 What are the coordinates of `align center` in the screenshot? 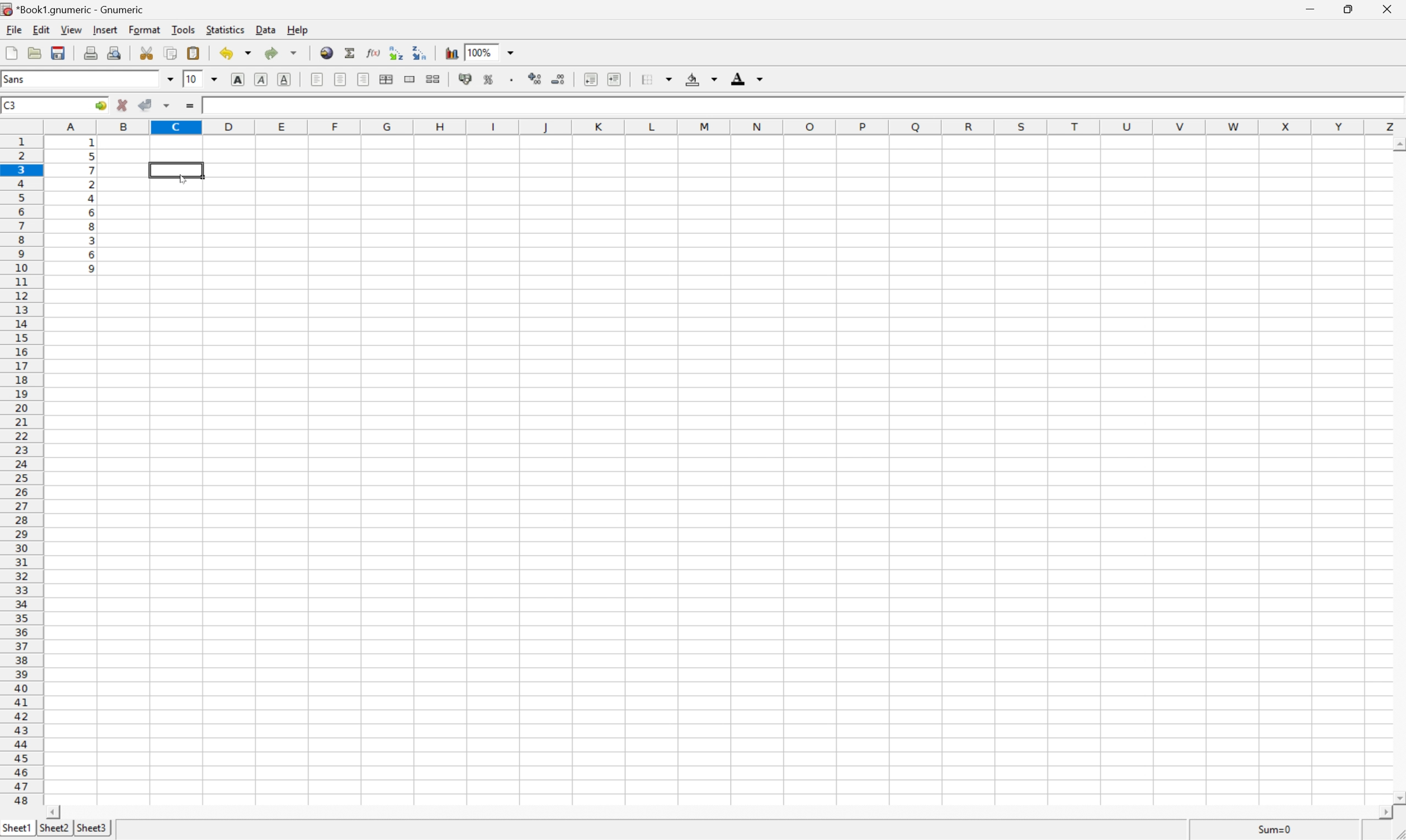 It's located at (342, 79).